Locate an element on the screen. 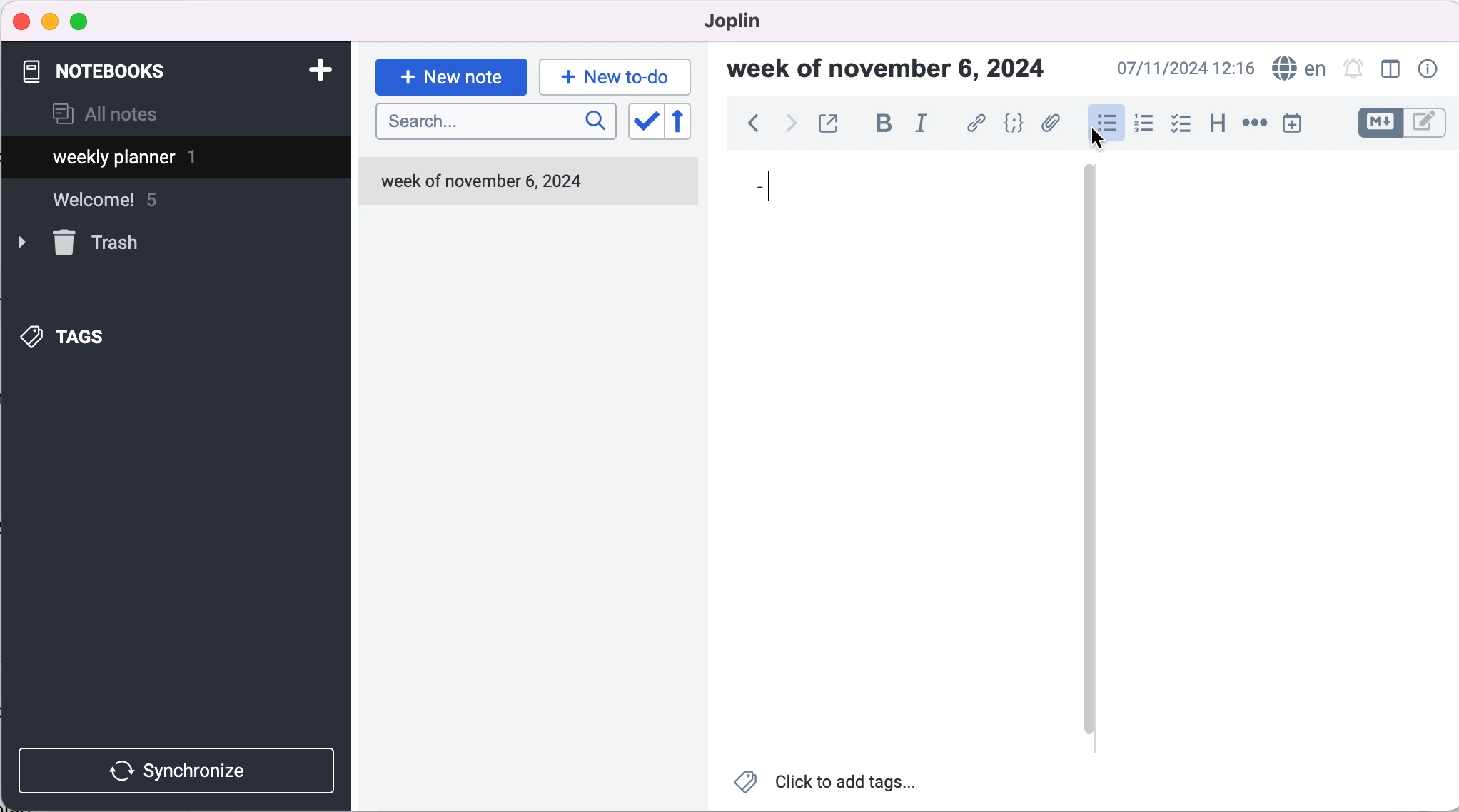 The width and height of the screenshot is (1459, 812). properties note is located at coordinates (1430, 68).